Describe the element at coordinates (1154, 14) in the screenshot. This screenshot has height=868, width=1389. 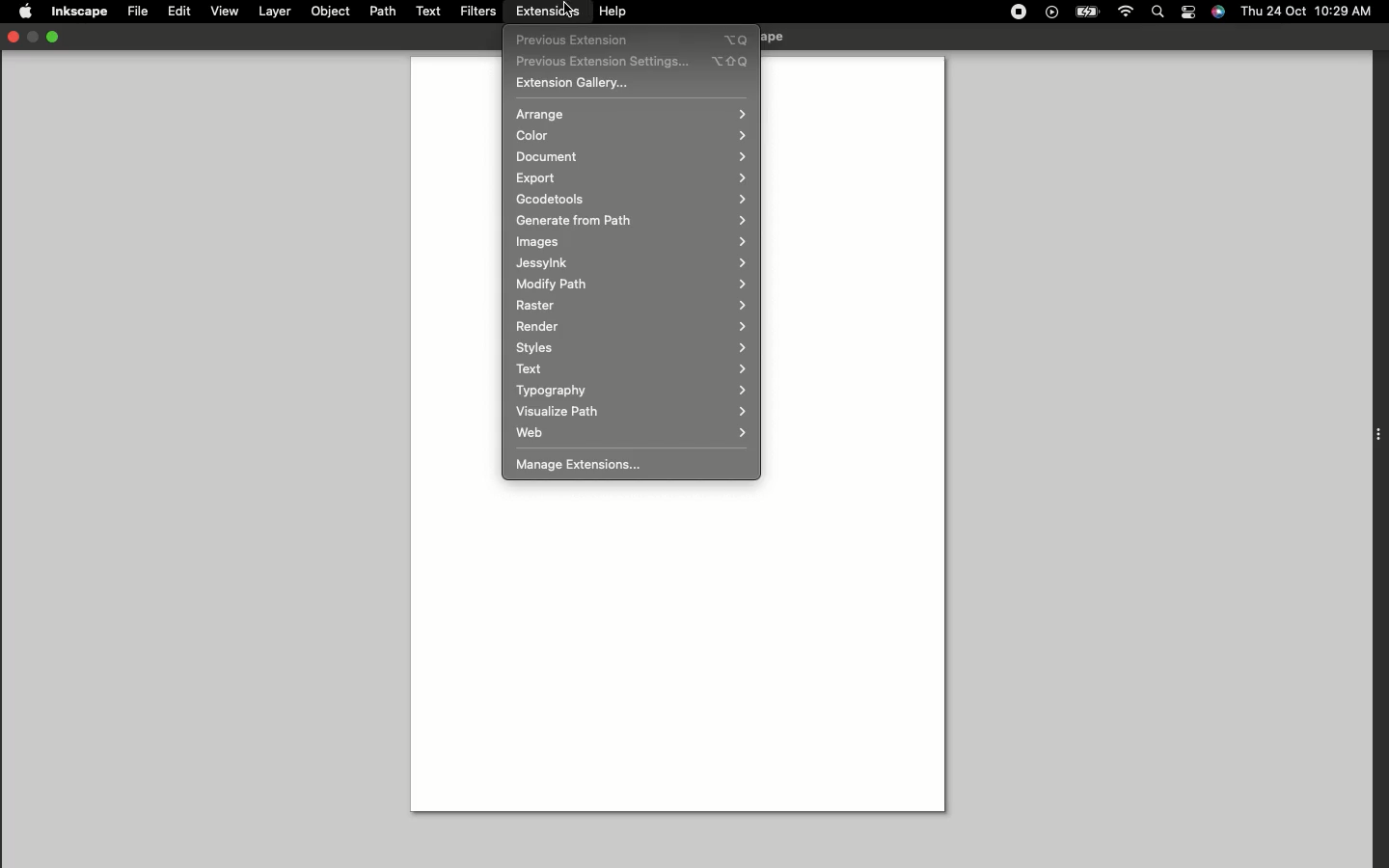
I see `Search` at that location.